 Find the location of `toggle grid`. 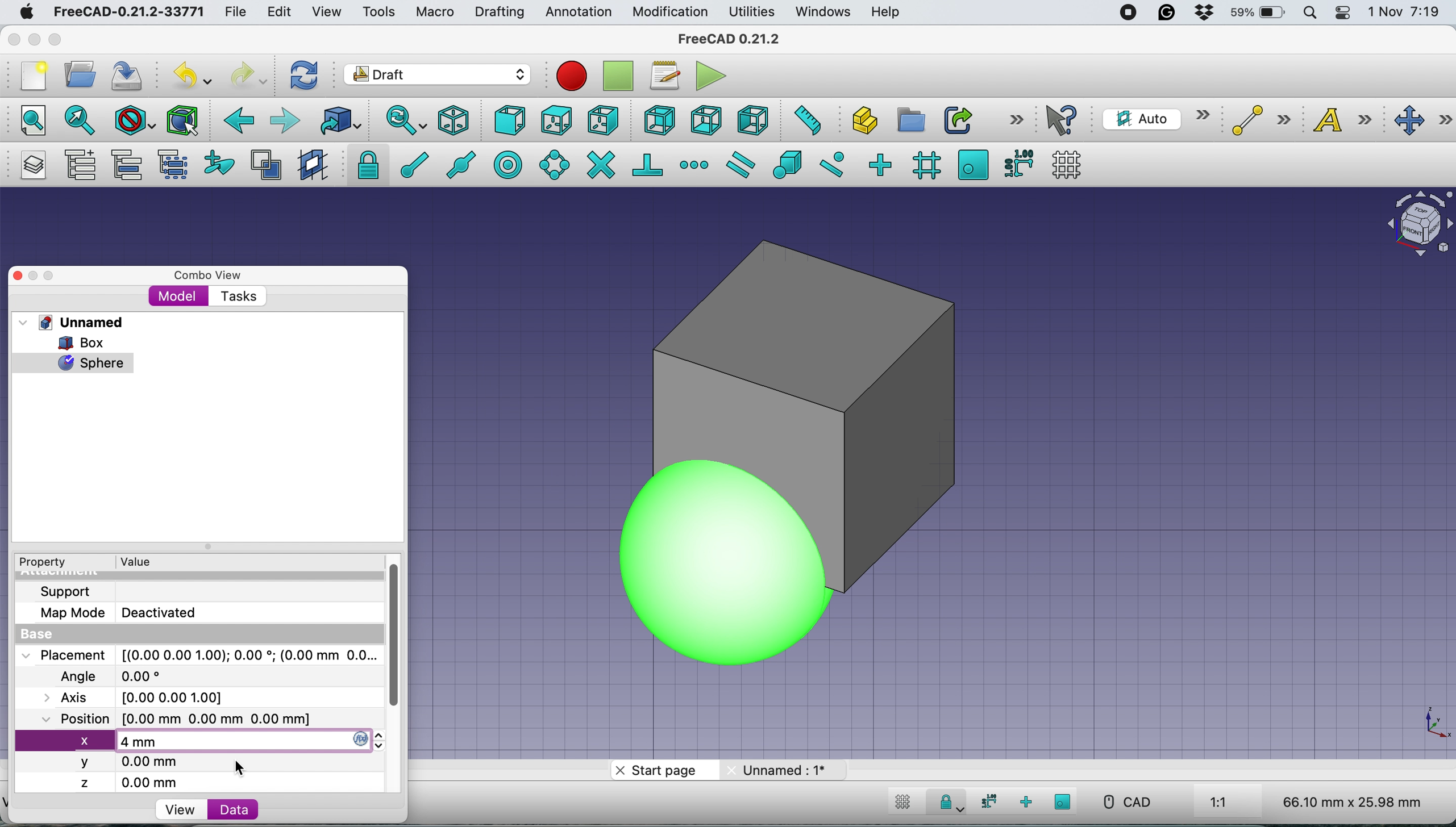

toggle grid is located at coordinates (900, 804).